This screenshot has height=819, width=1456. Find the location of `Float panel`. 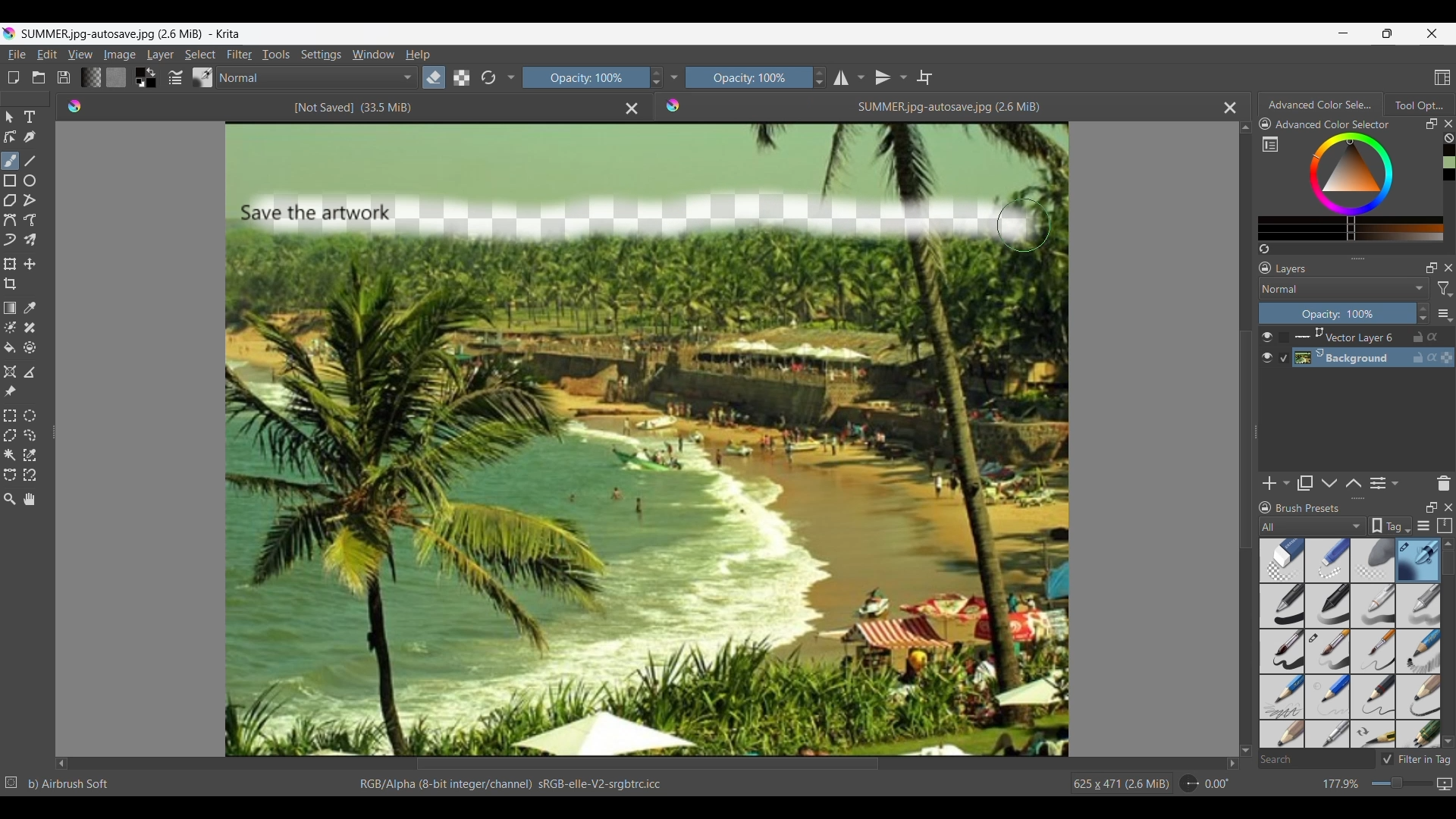

Float panel is located at coordinates (1432, 124).